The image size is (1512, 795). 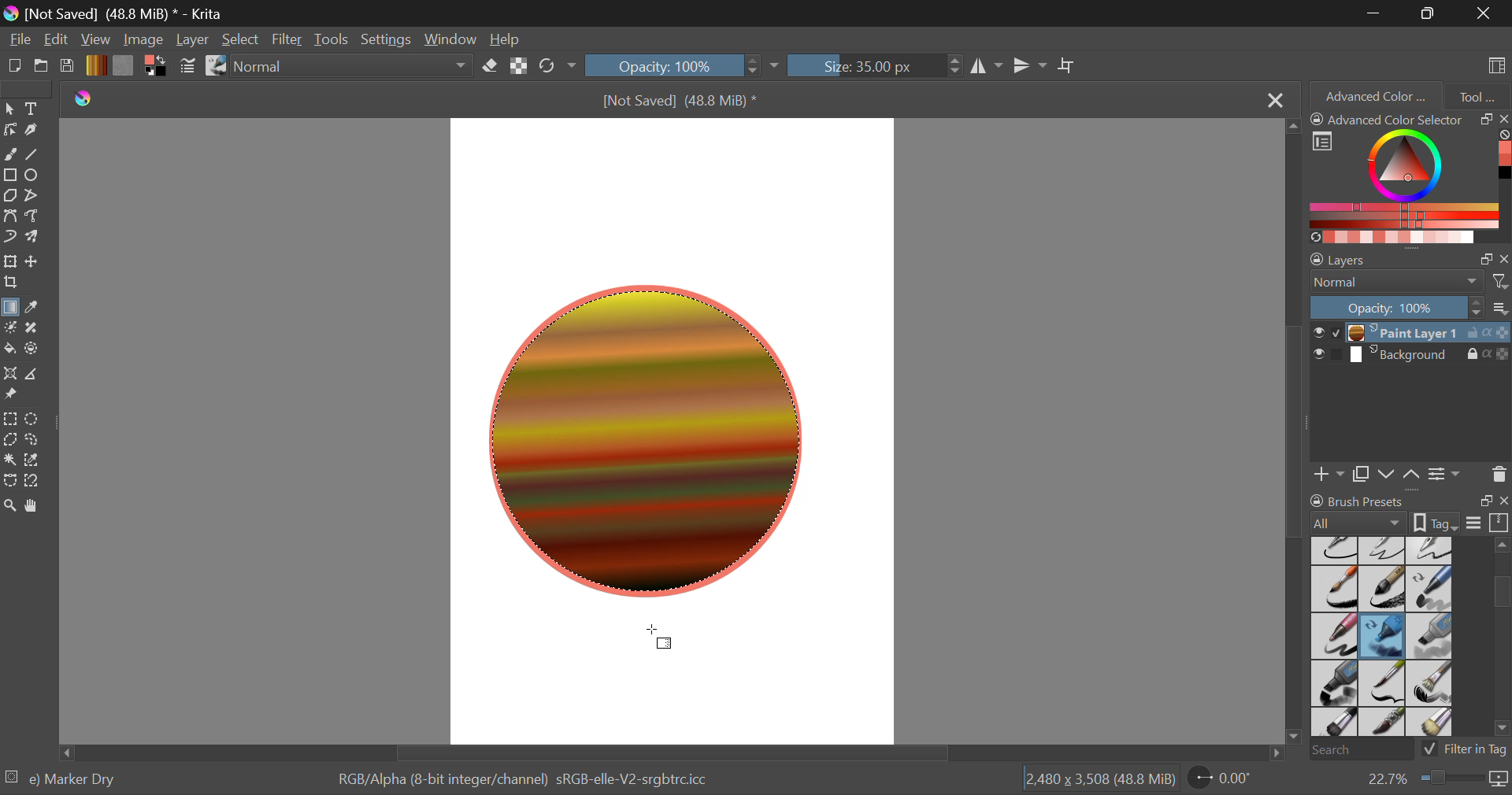 What do you see at coordinates (11, 329) in the screenshot?
I see `Colorize Mask Tool` at bounding box center [11, 329].